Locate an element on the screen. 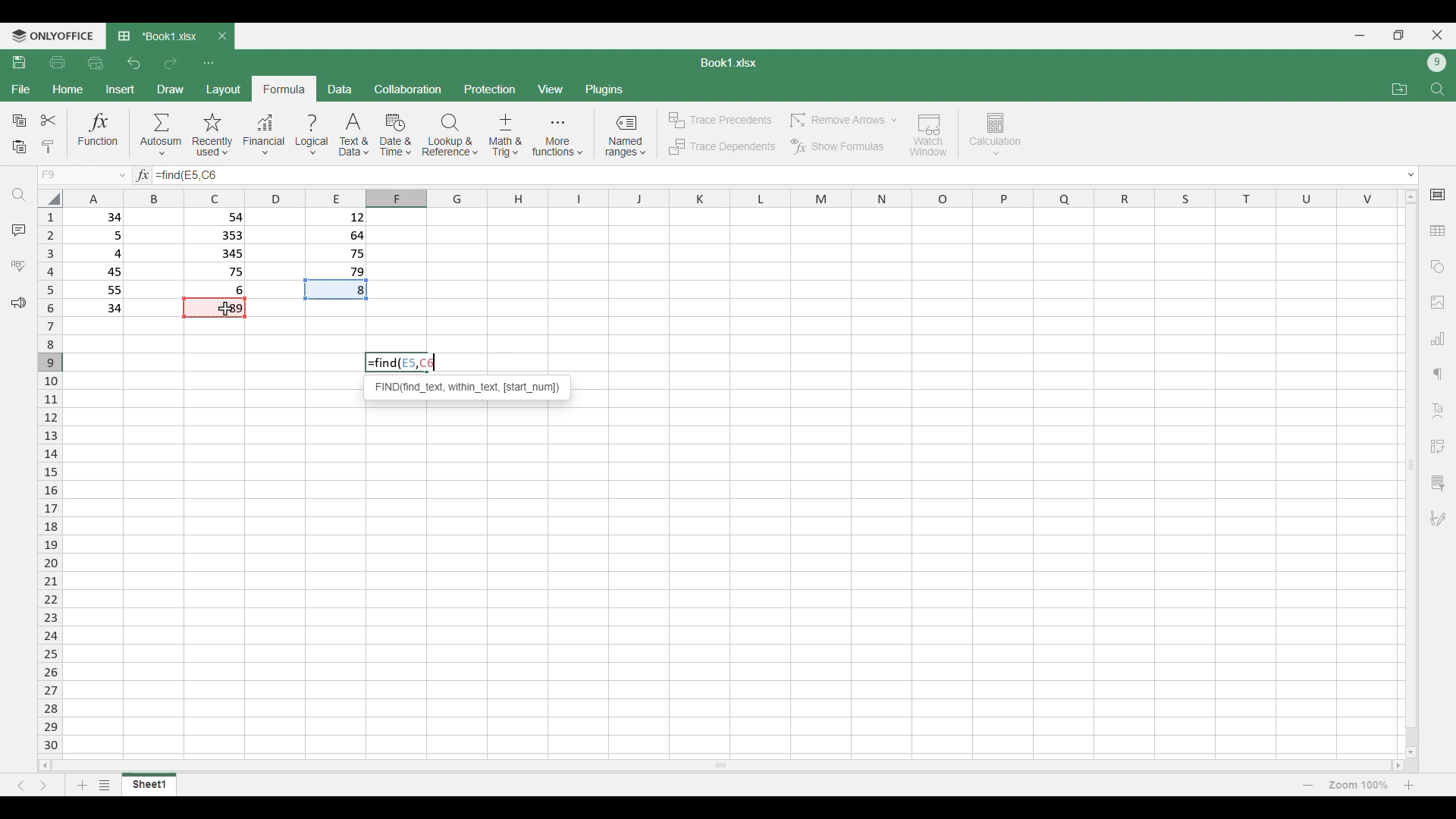 The width and height of the screenshot is (1456, 819). Filled cells is located at coordinates (99, 262).